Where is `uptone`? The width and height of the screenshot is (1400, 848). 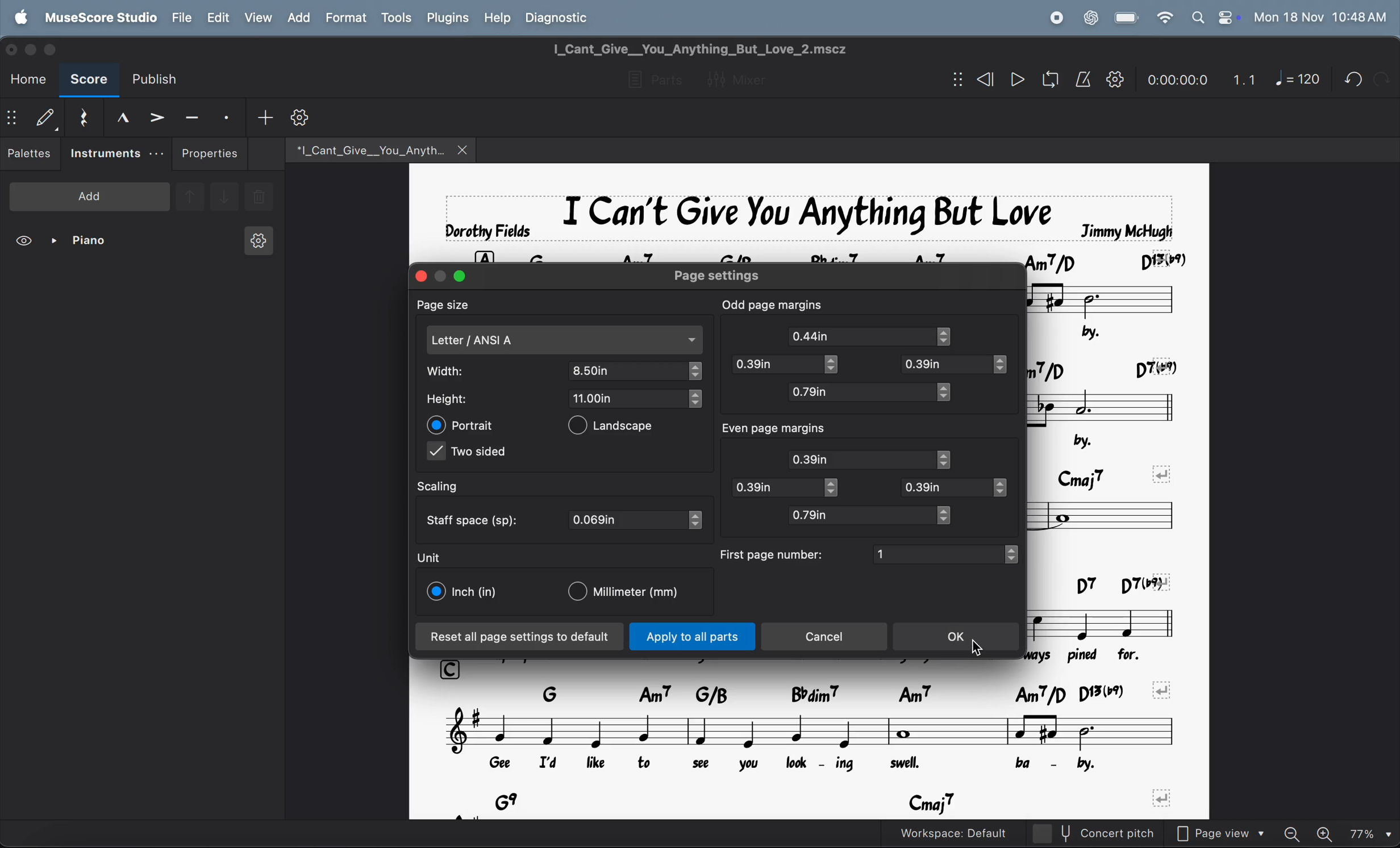
uptone is located at coordinates (189, 195).